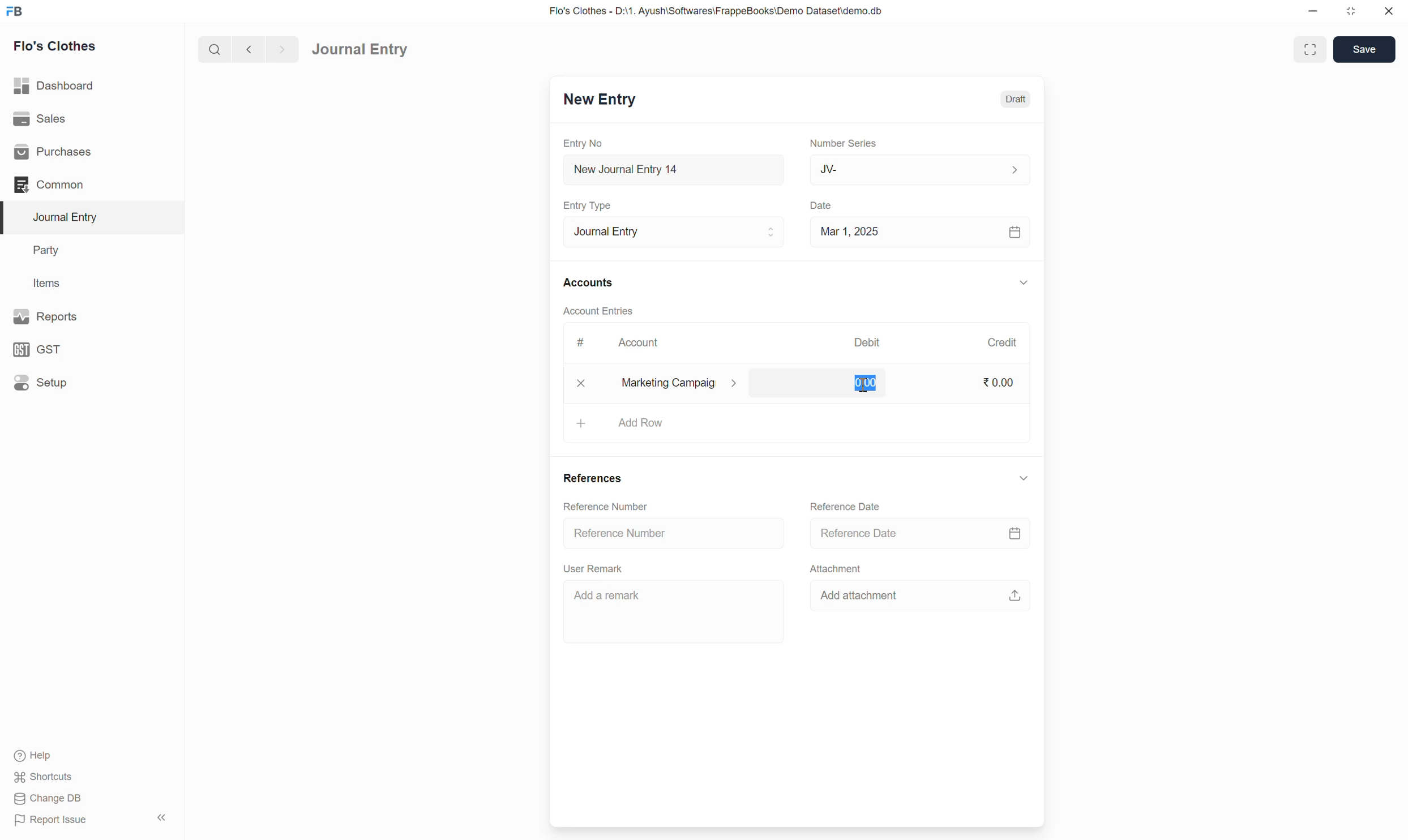 The width and height of the screenshot is (1408, 840). Describe the element at coordinates (582, 422) in the screenshot. I see `+` at that location.